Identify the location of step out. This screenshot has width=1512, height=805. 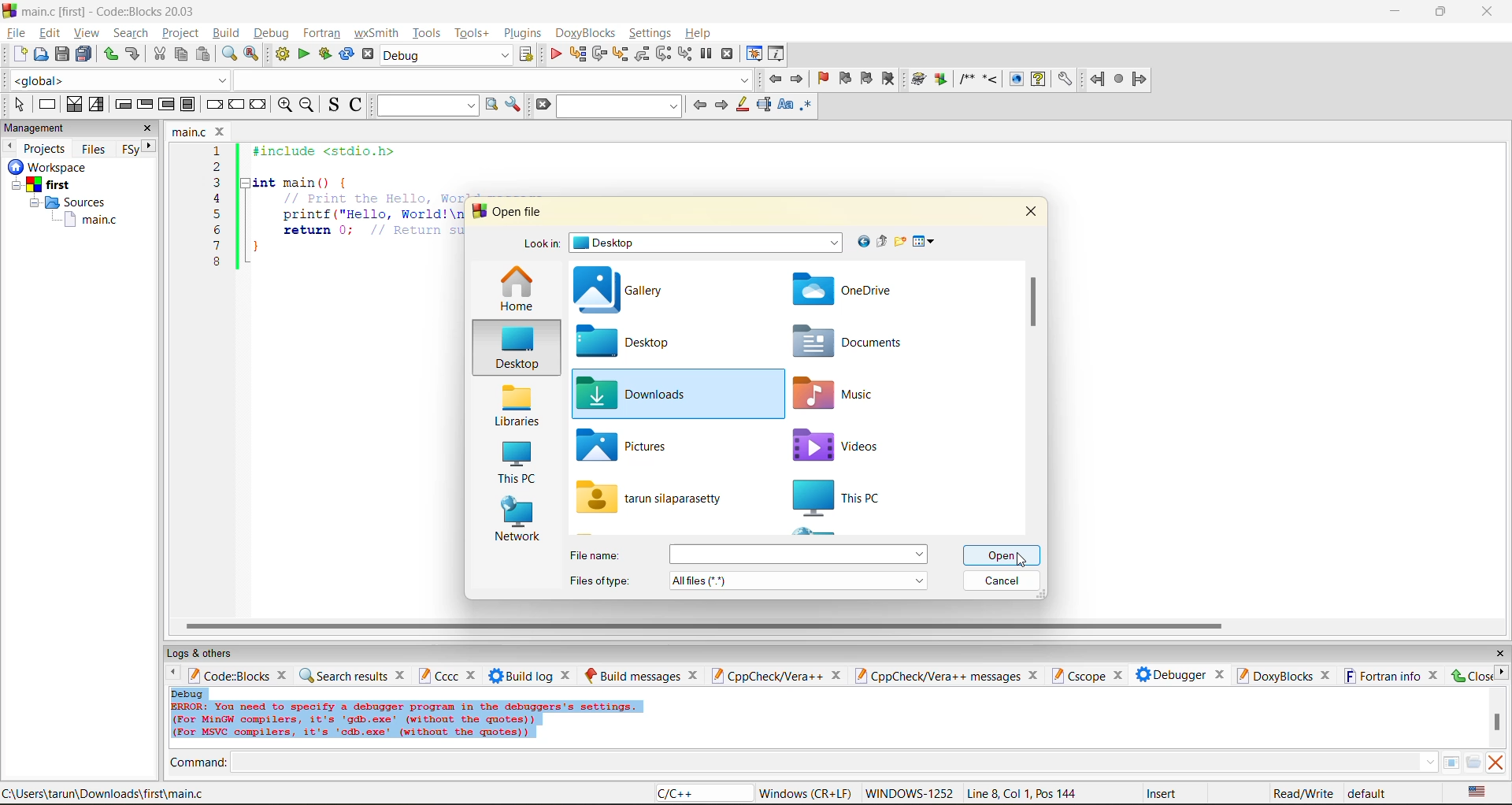
(641, 54).